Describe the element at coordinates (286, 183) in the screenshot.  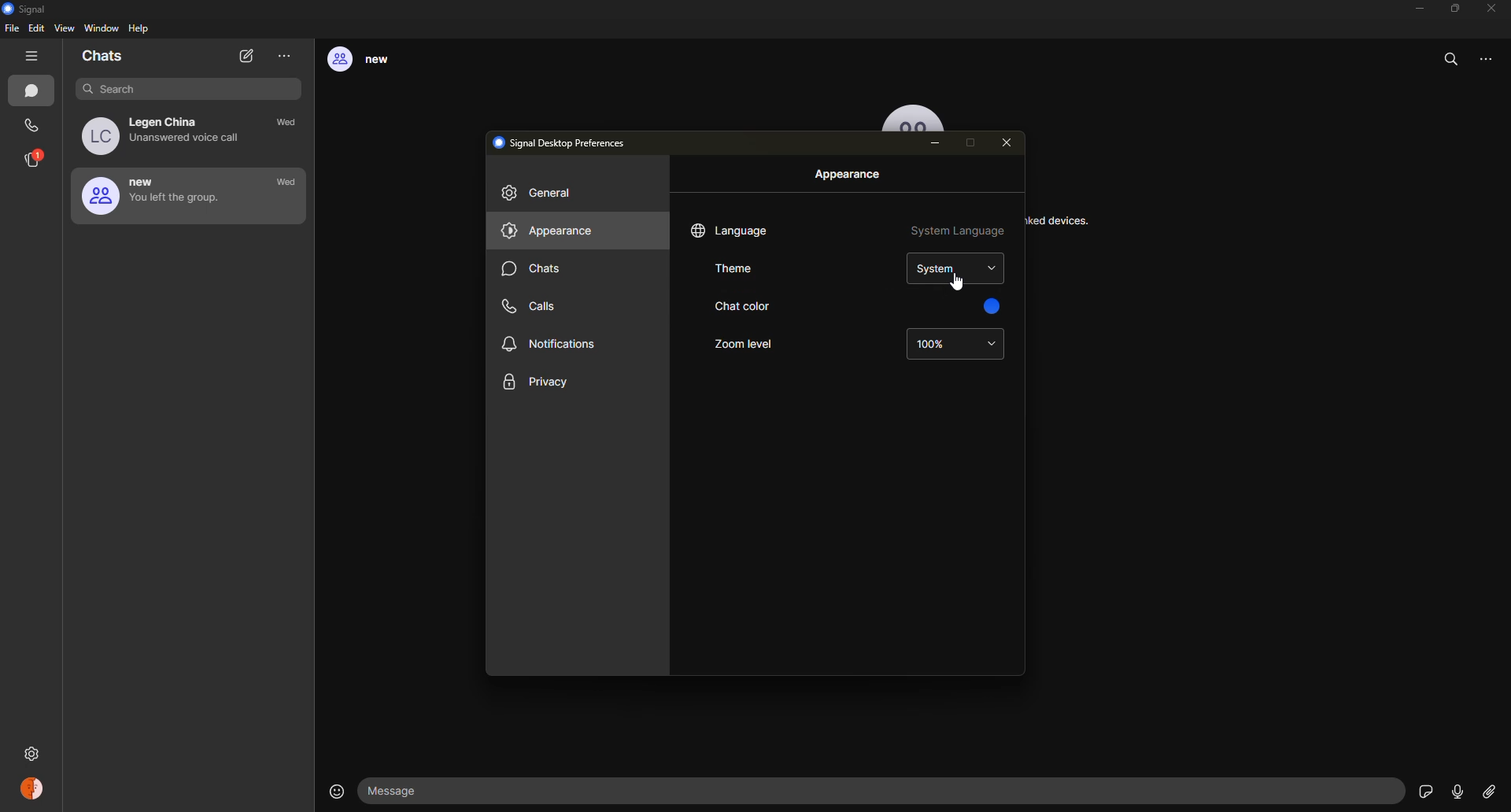
I see `wed` at that location.